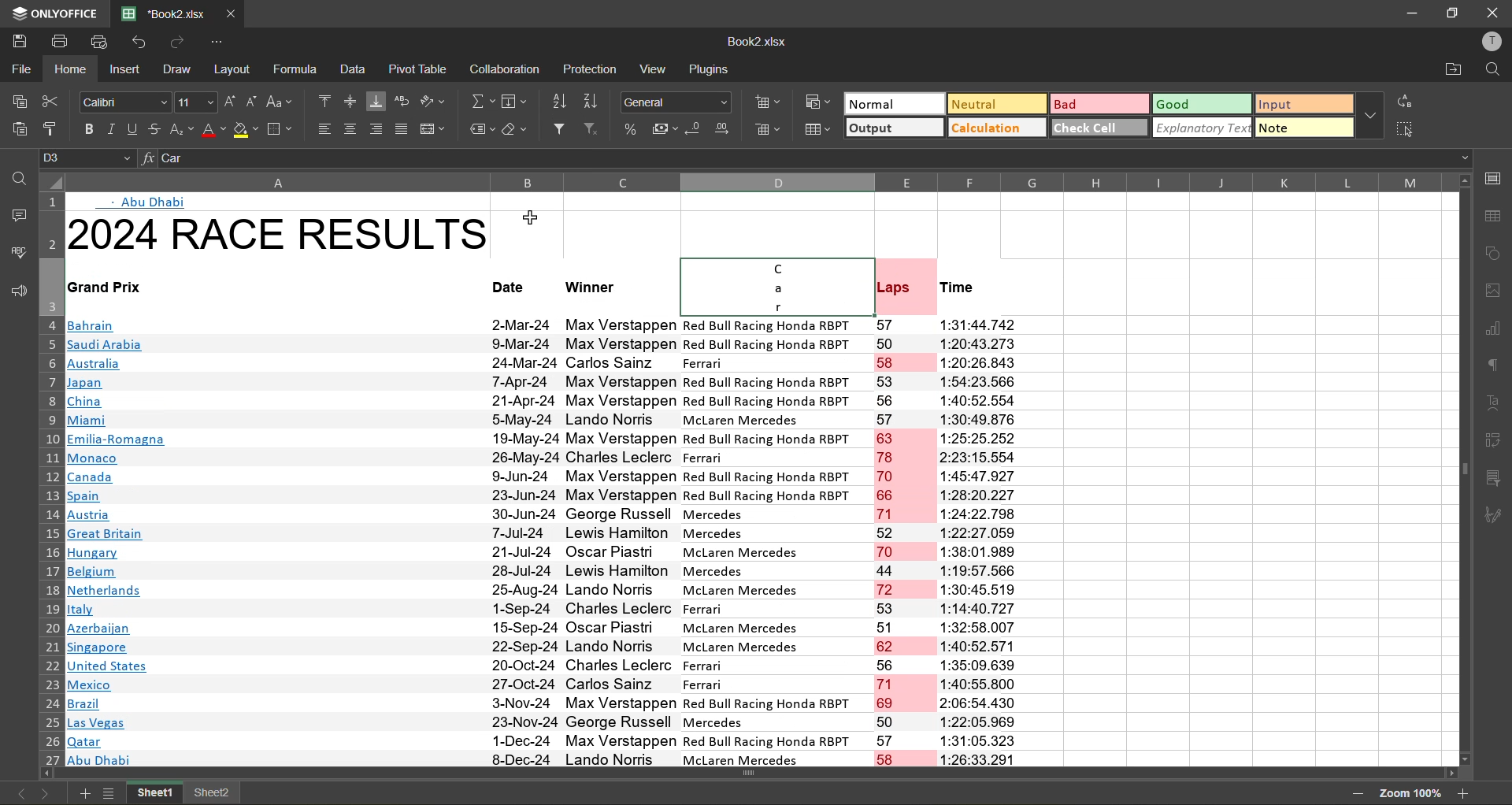 The image size is (1512, 805). Describe the element at coordinates (1414, 793) in the screenshot. I see `zoom factor` at that location.